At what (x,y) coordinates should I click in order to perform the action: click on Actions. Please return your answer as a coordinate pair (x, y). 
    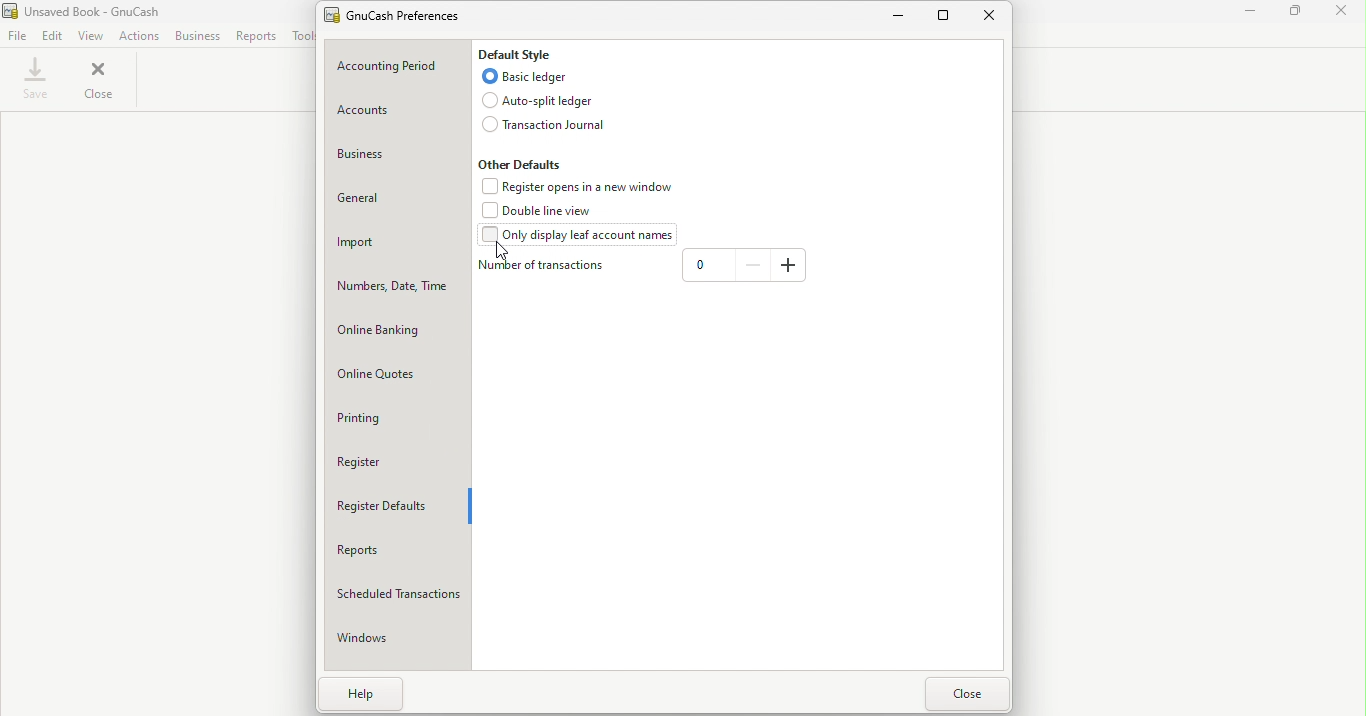
    Looking at the image, I should click on (142, 37).